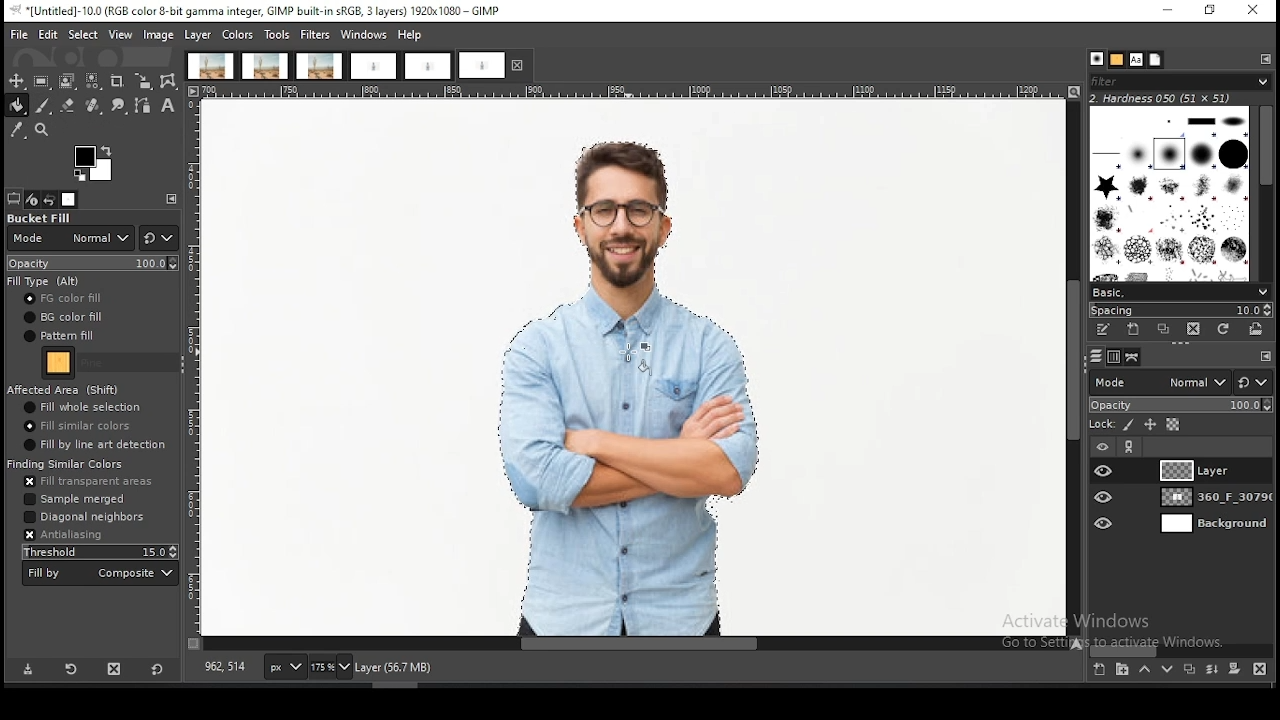 The image size is (1280, 720). I want to click on images, so click(69, 200).